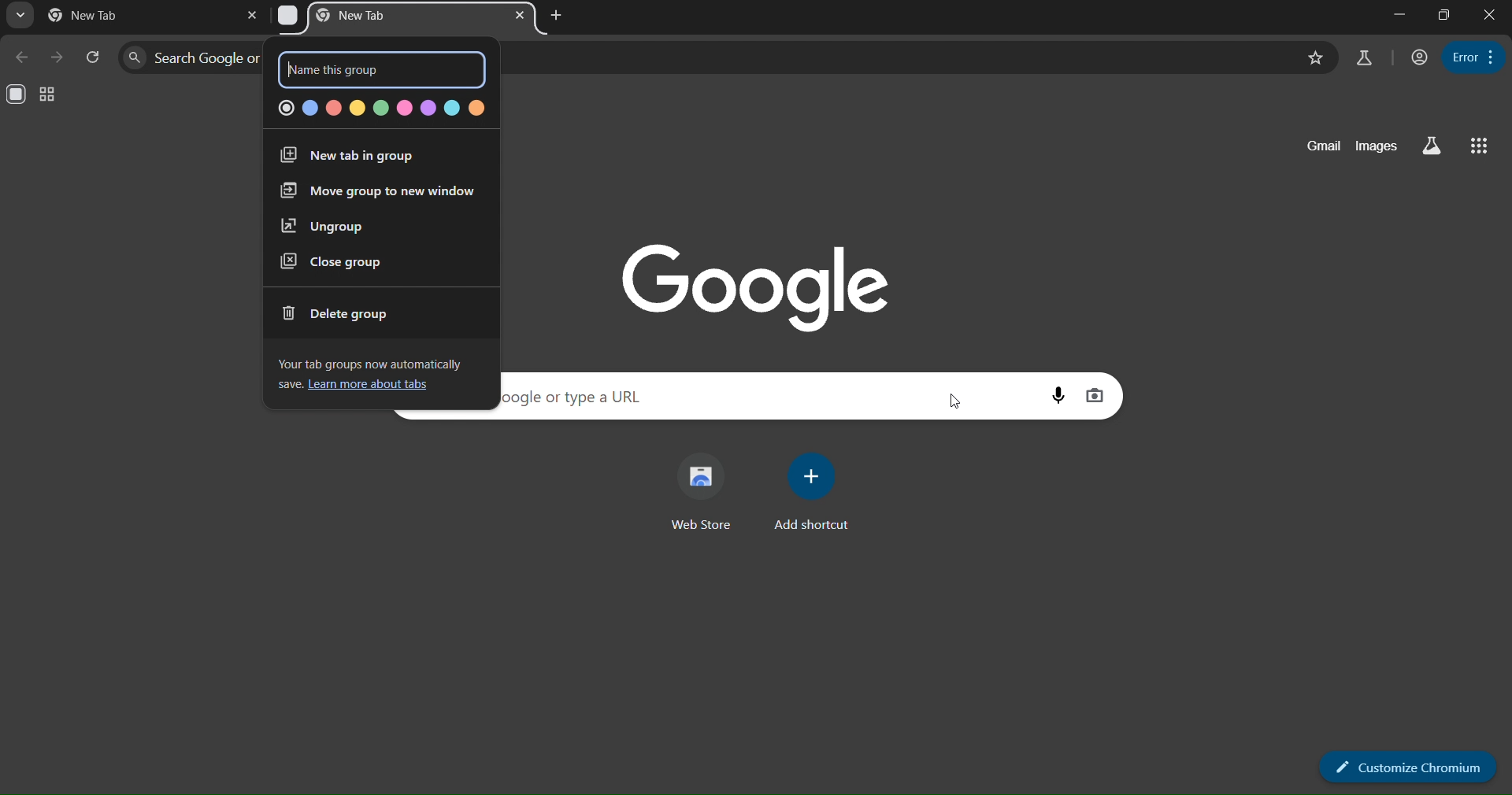 The image size is (1512, 795). I want to click on account, so click(1417, 57).